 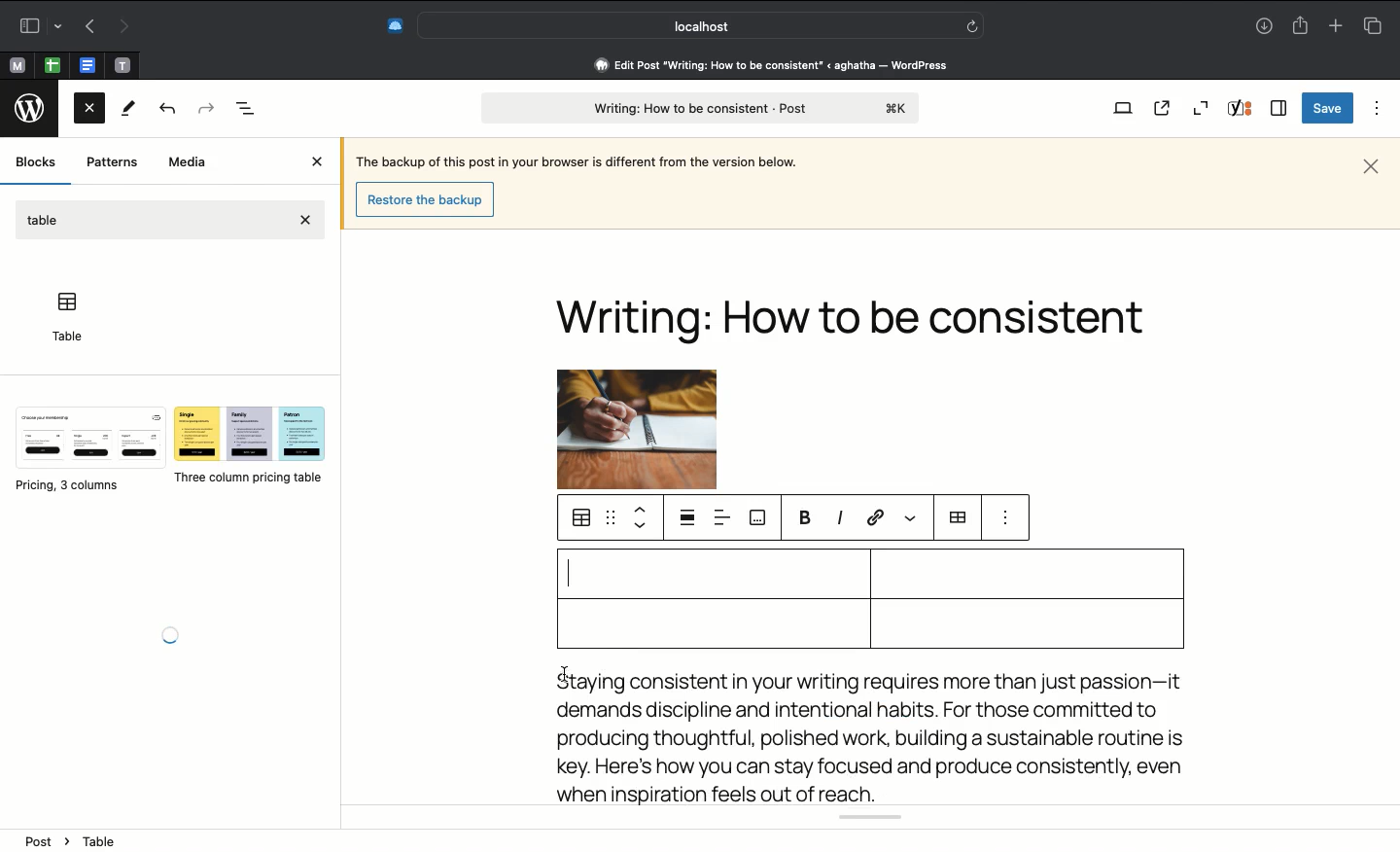 I want to click on Tabs, so click(x=1374, y=25).